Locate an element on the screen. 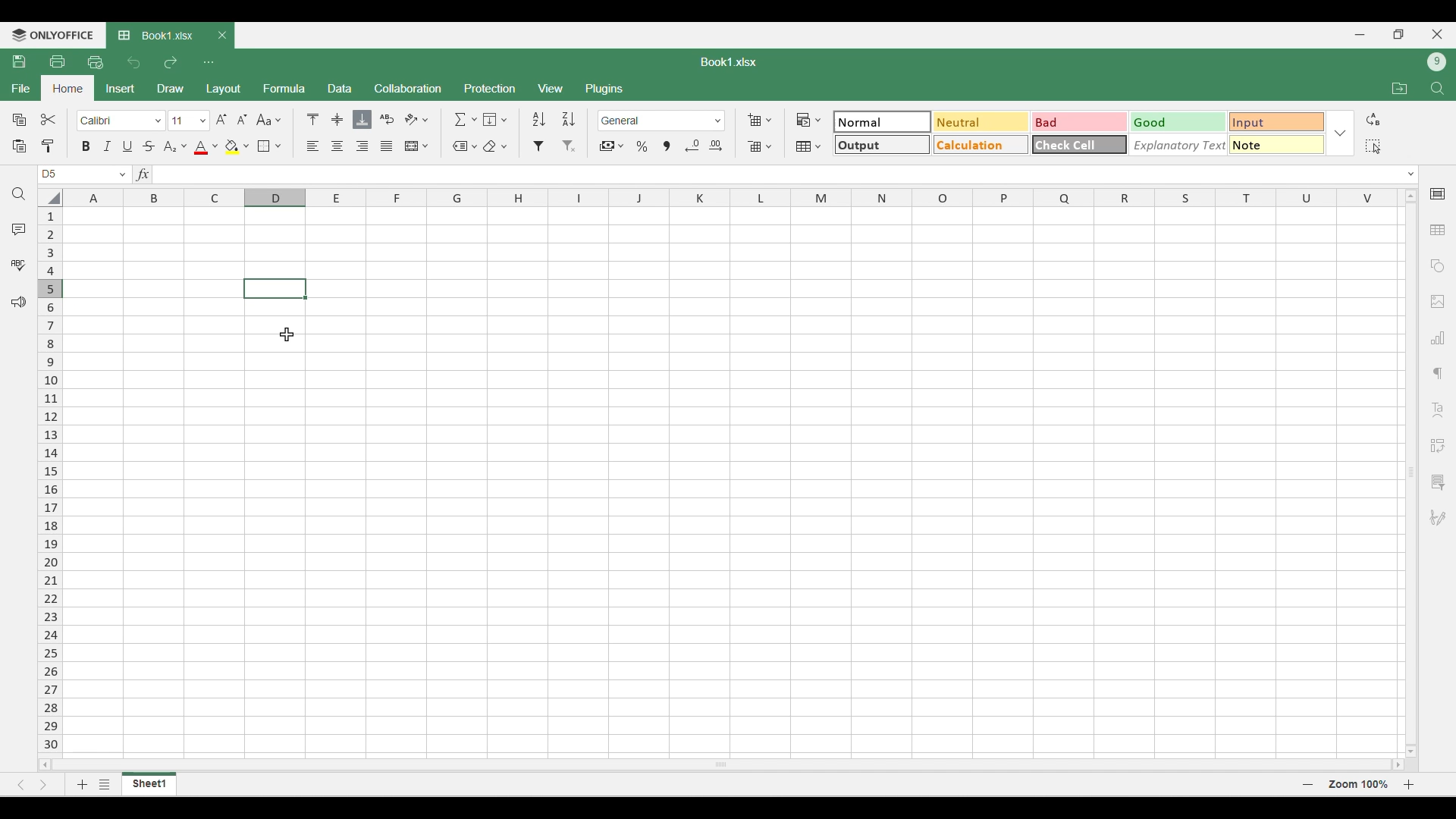 This screenshot has width=1456, height=819. ONLYOFFICE's software logo is located at coordinates (53, 36).